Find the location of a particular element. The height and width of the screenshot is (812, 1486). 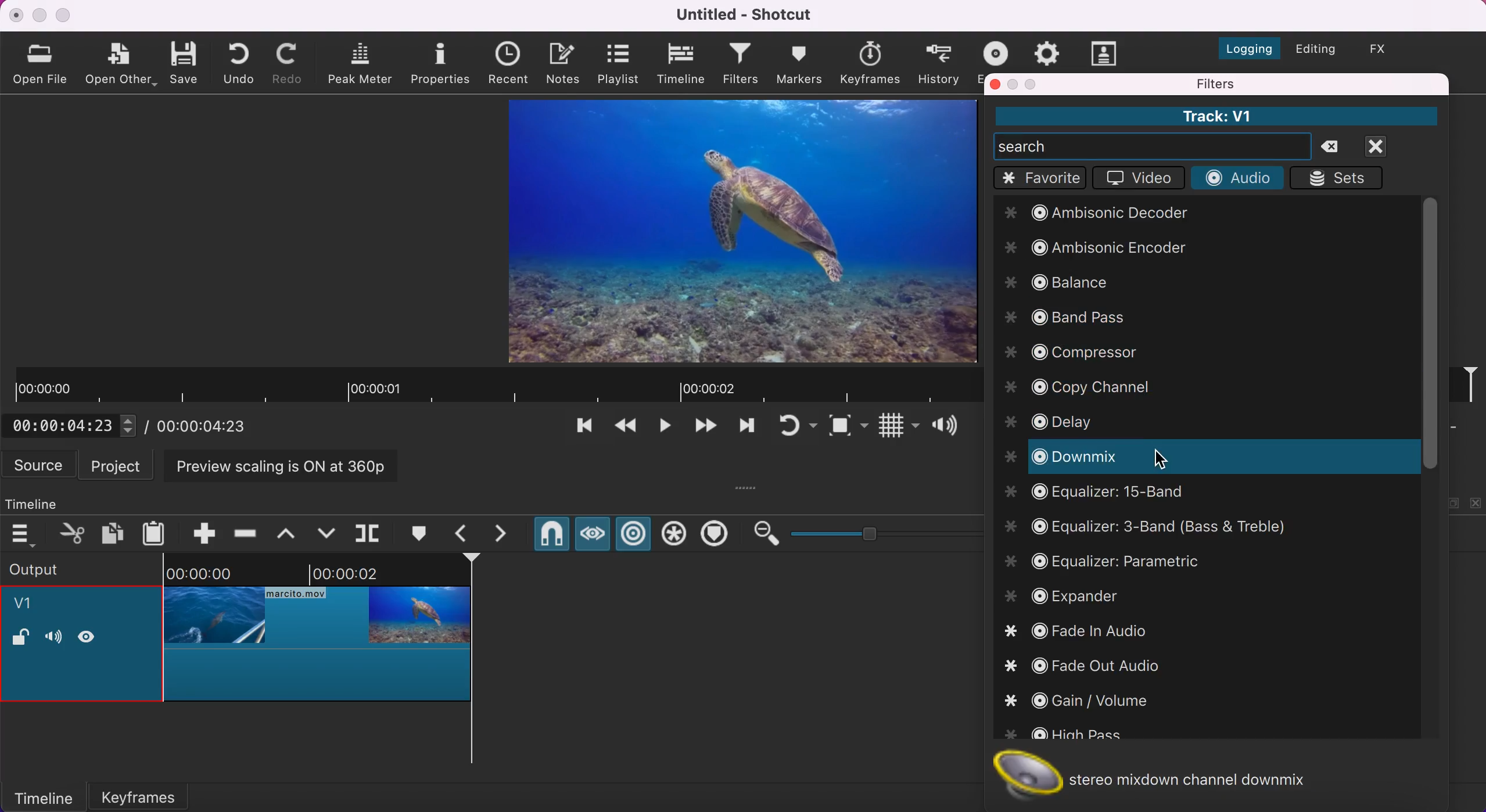

ripple all tracks is located at coordinates (674, 536).